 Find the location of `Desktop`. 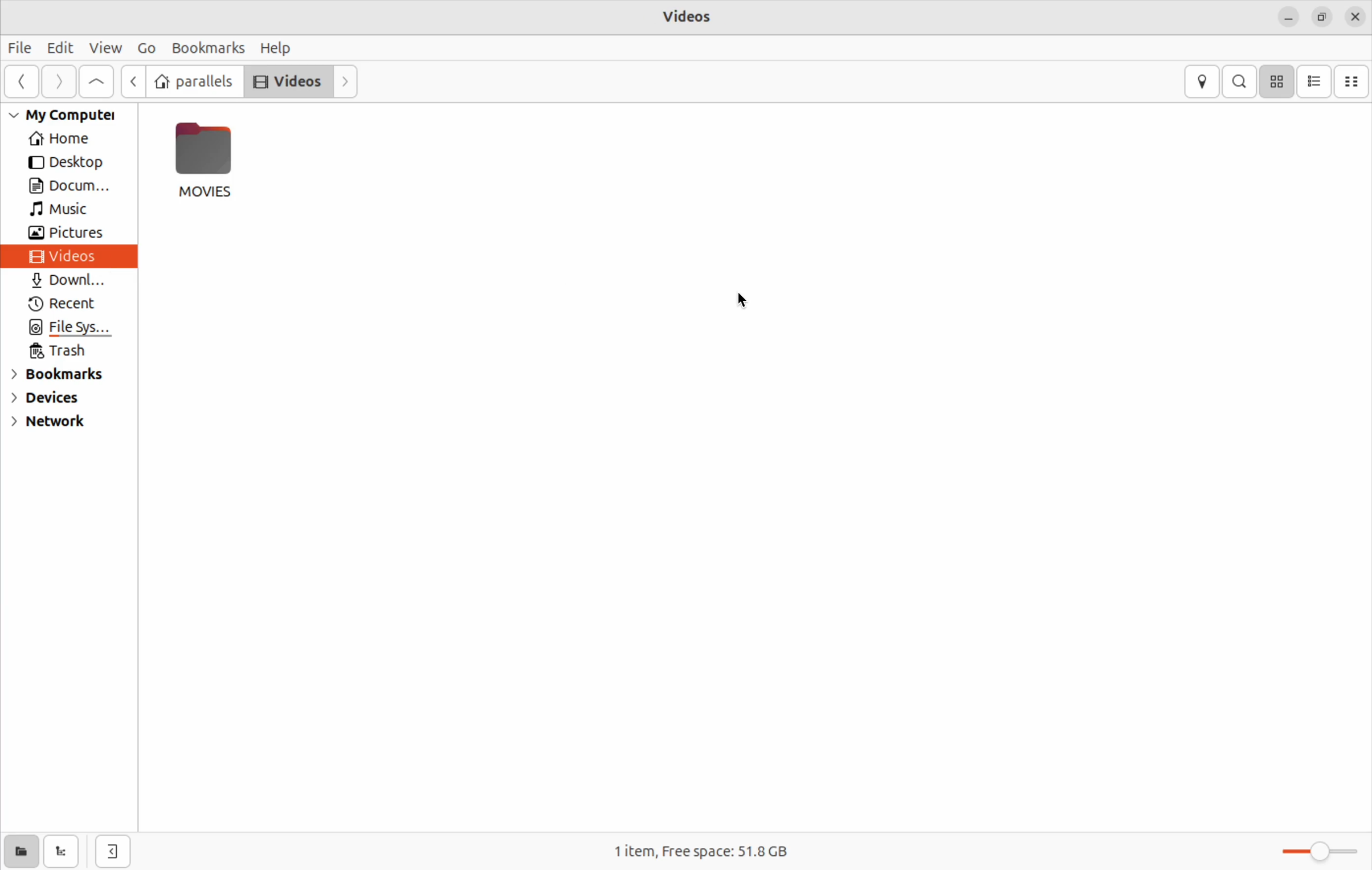

Desktop is located at coordinates (67, 164).